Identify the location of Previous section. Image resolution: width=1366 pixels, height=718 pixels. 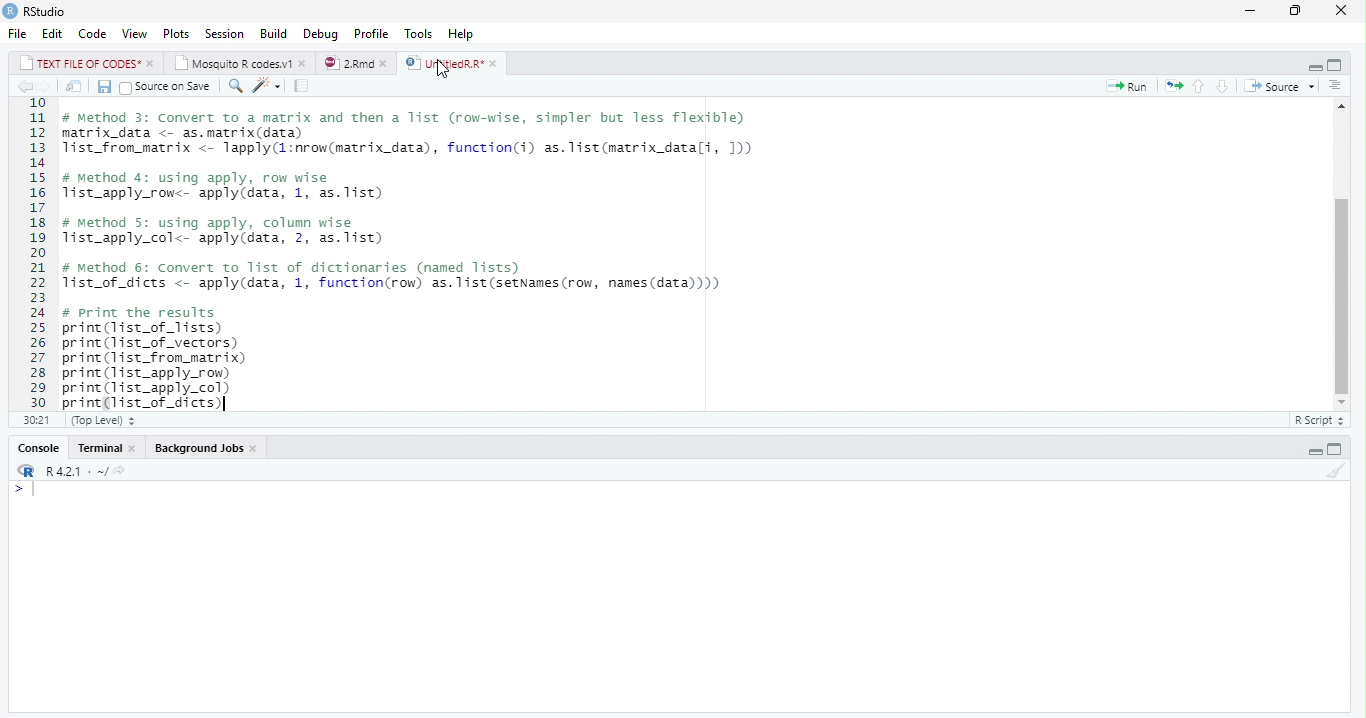
(1337, 87).